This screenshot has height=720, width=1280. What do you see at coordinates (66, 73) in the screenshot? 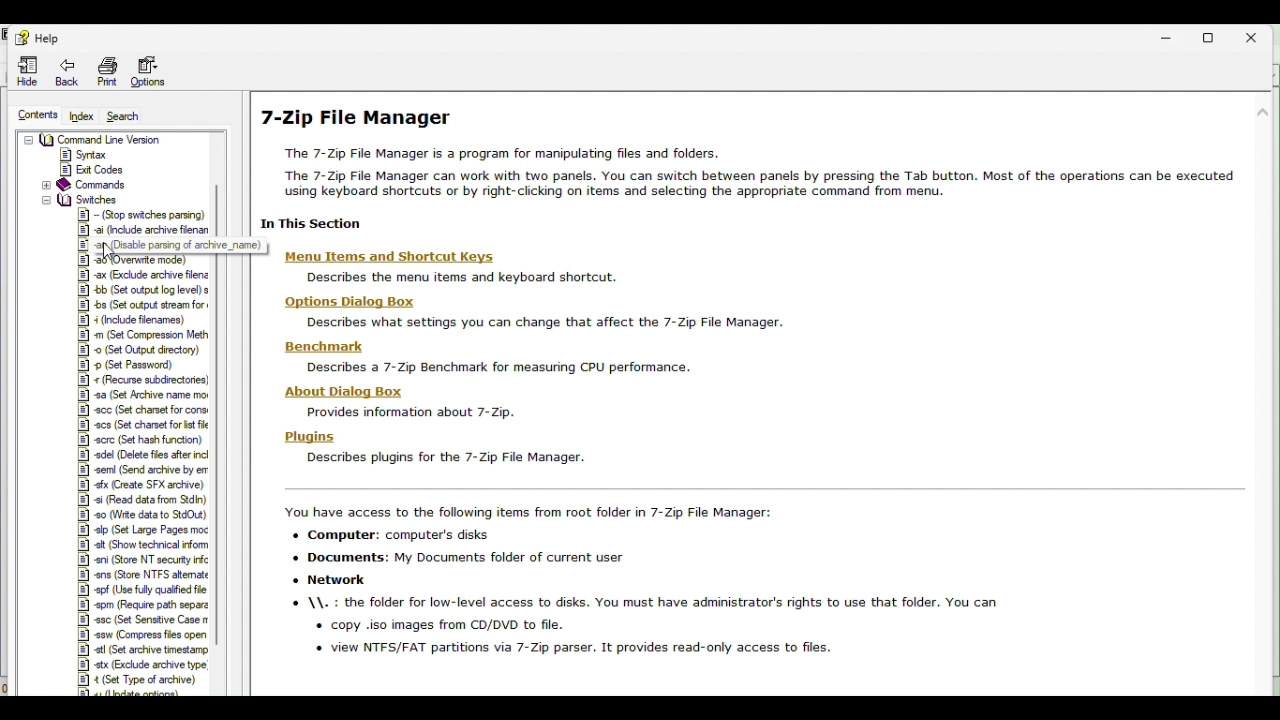
I see `Back` at bounding box center [66, 73].